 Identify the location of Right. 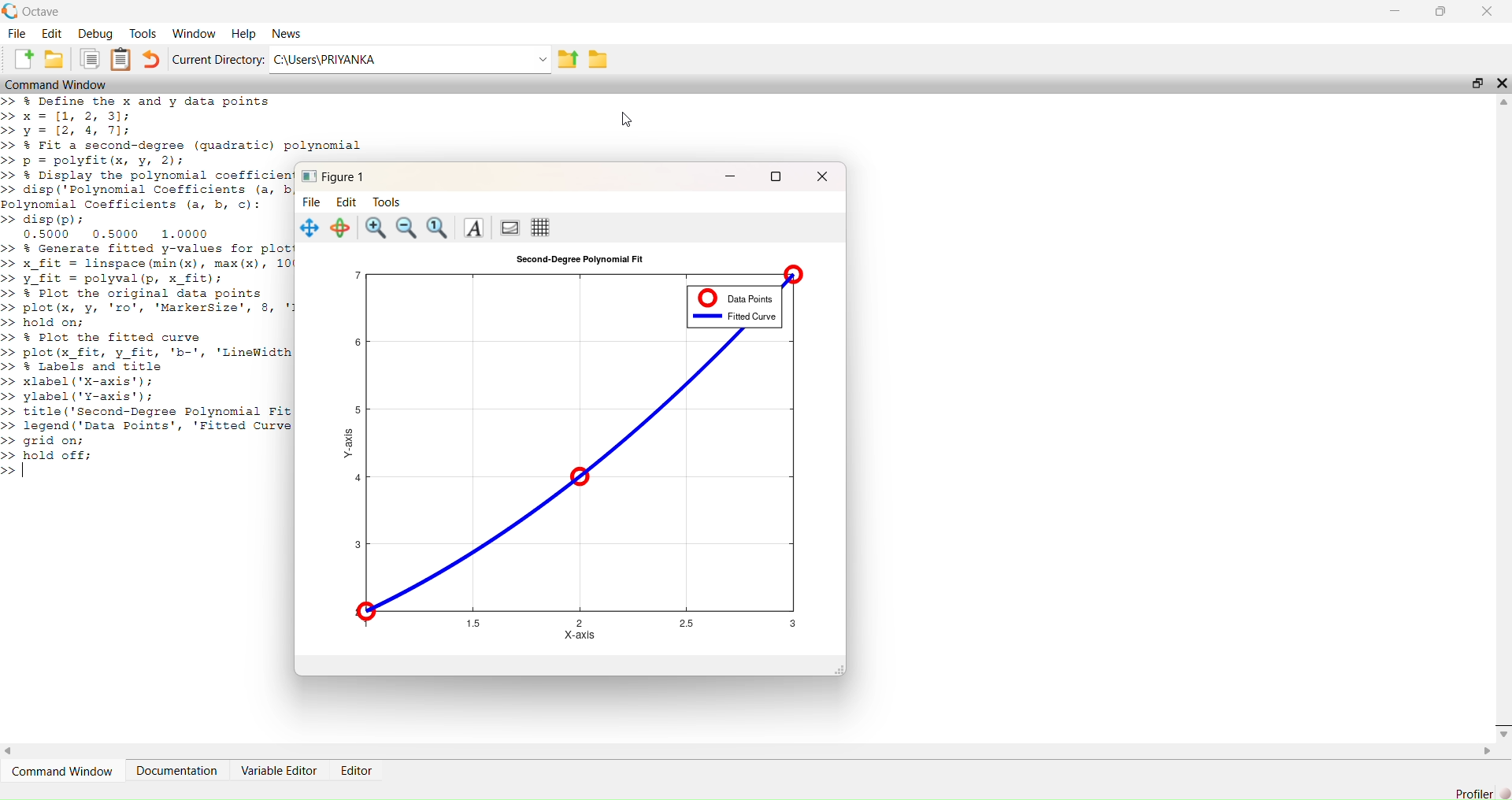
(1488, 753).